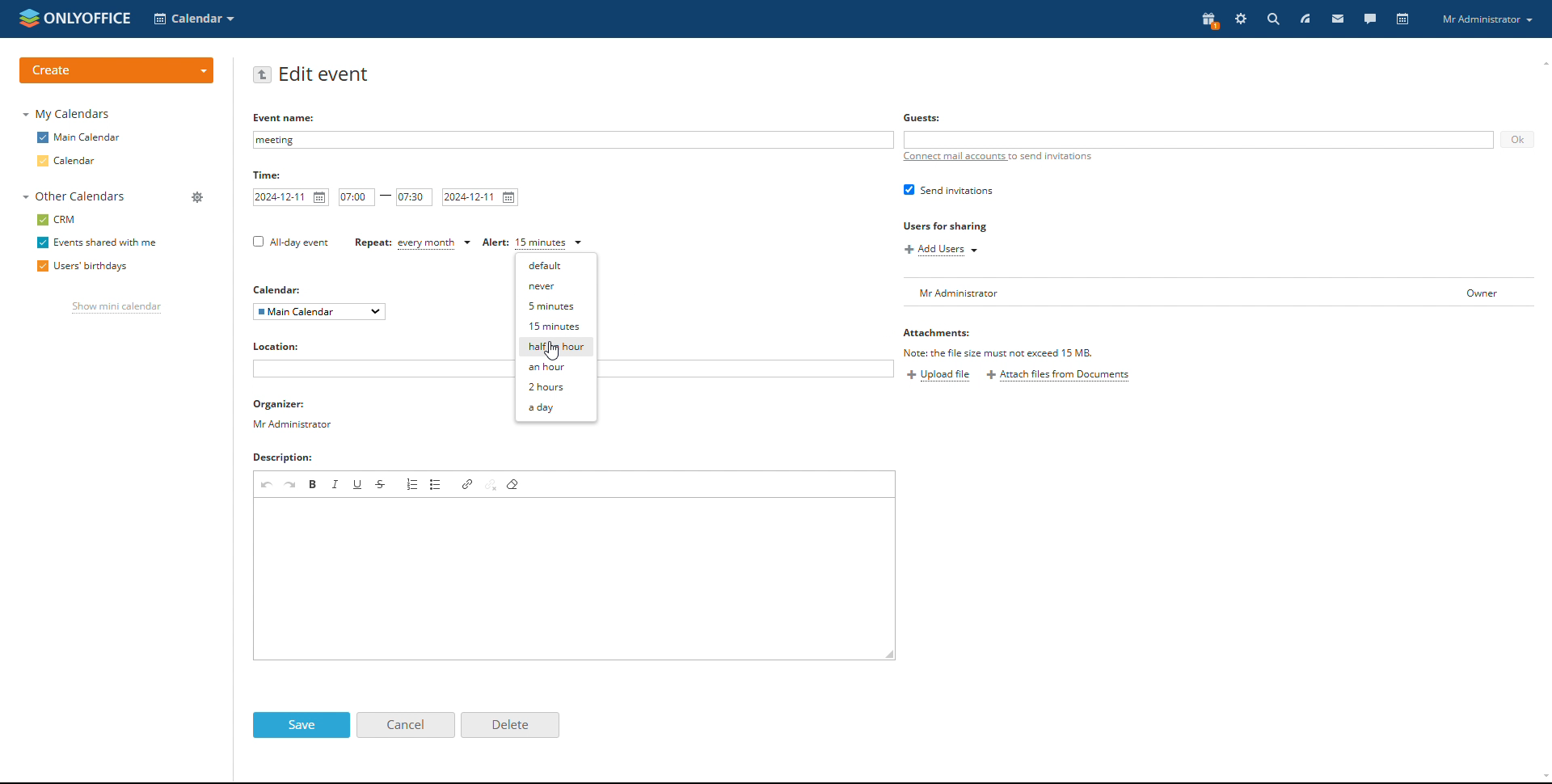  I want to click on strikethrough, so click(382, 483).